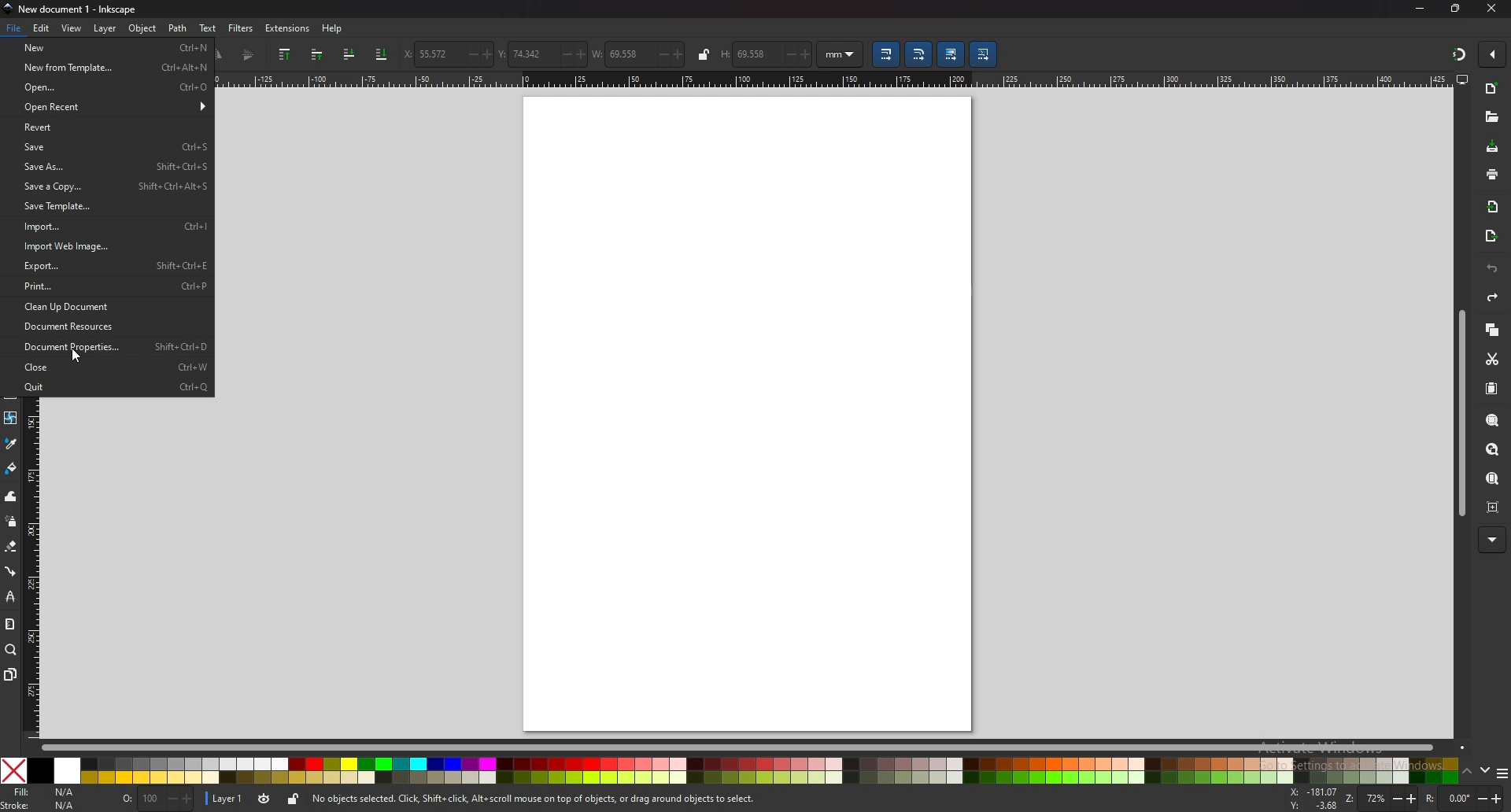 The height and width of the screenshot is (812, 1511). Describe the element at coordinates (113, 87) in the screenshot. I see `open` at that location.